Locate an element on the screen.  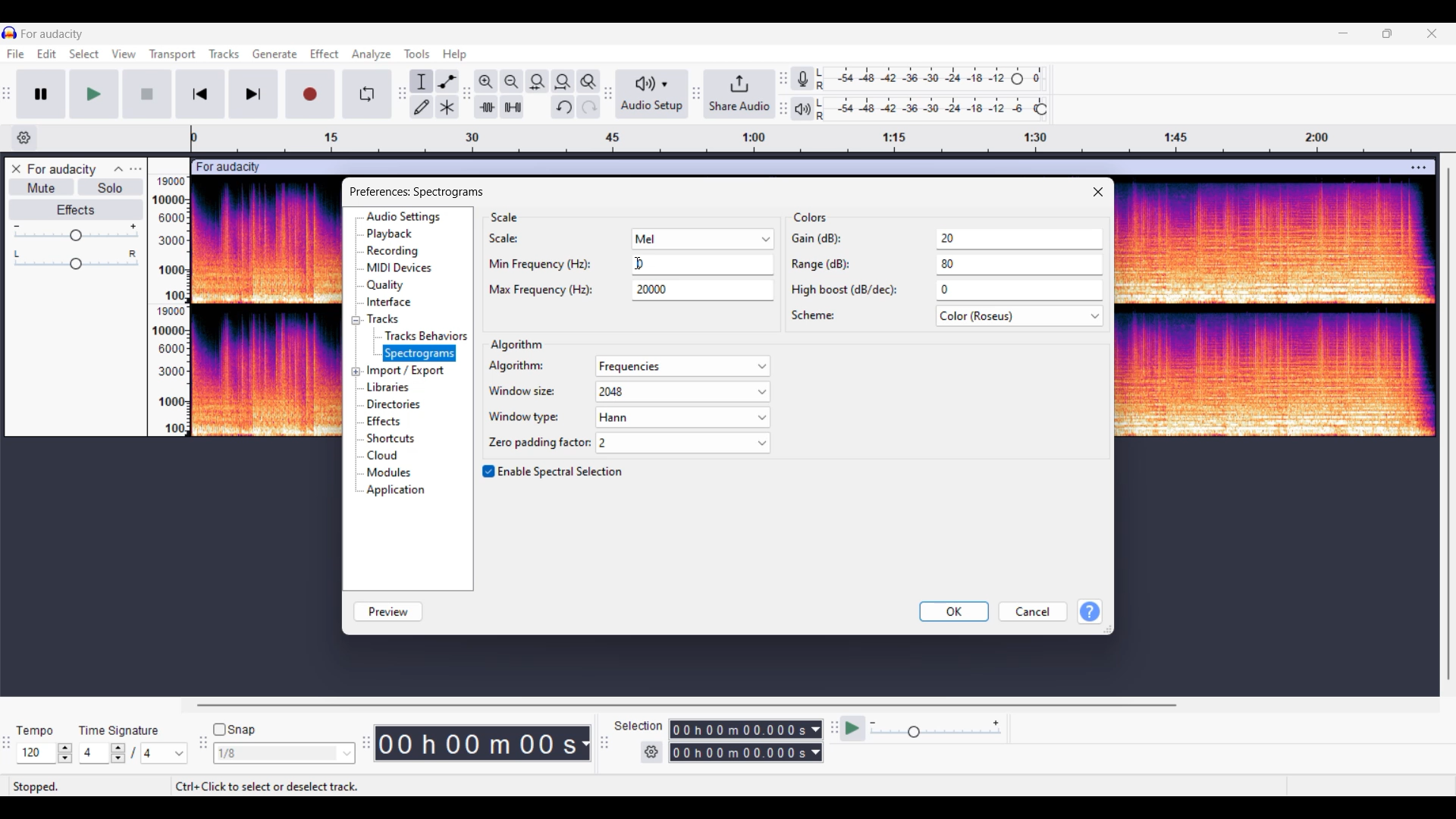
Playback speed settings  is located at coordinates (922, 728).